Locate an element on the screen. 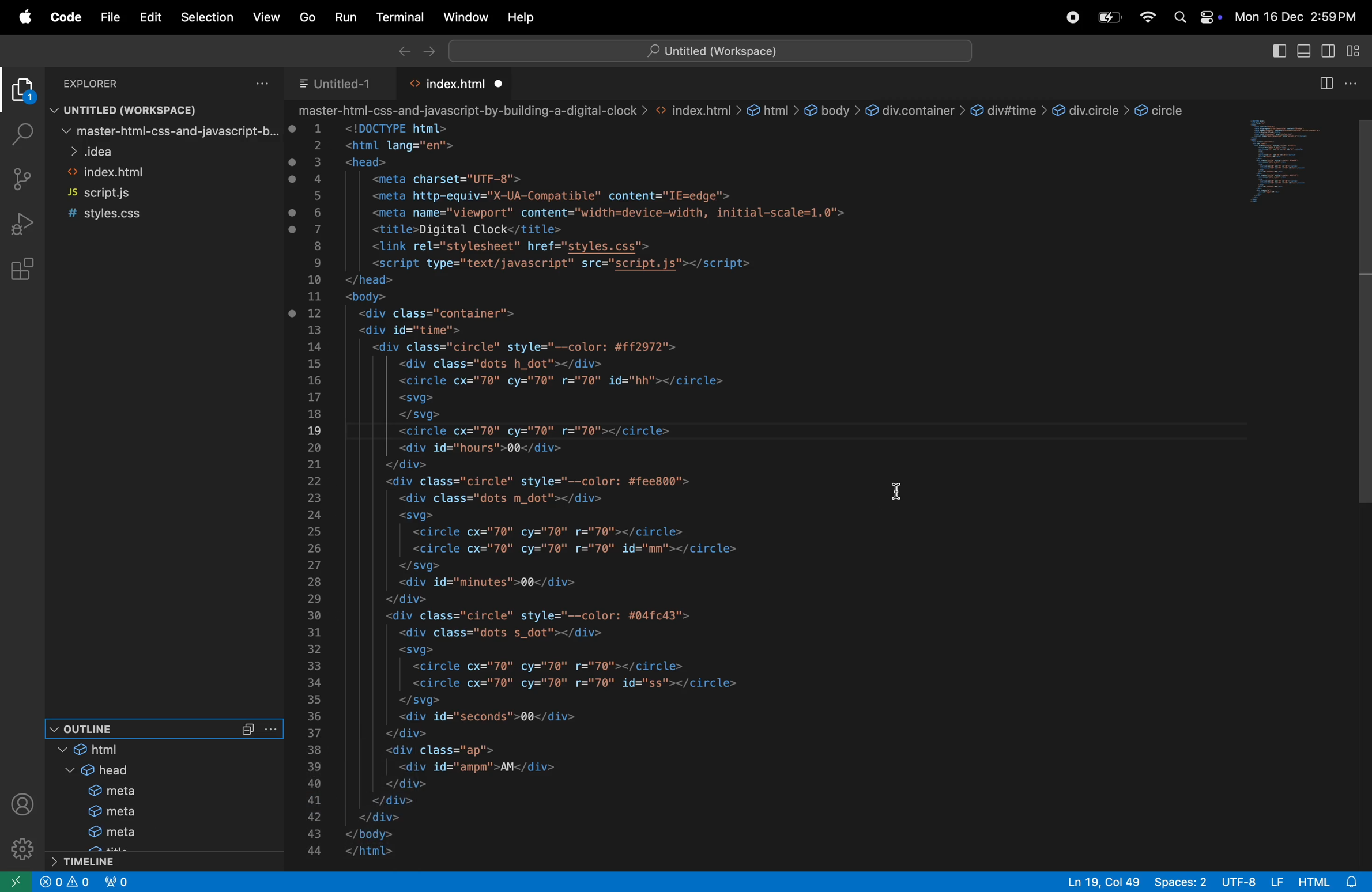 This screenshot has height=892, width=1372. toggle primary side bar is located at coordinates (1280, 50).